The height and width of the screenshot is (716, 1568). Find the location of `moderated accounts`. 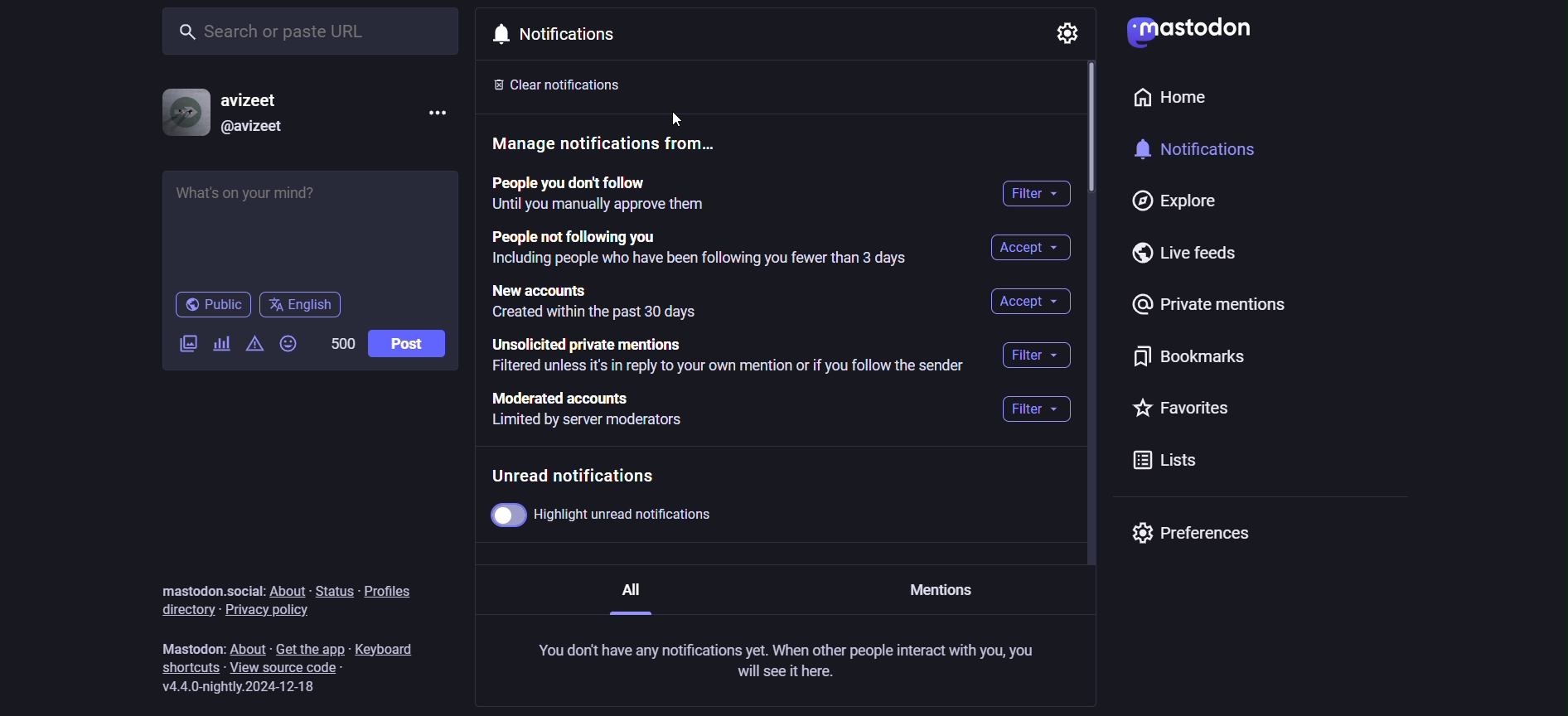

moderated accounts is located at coordinates (598, 415).